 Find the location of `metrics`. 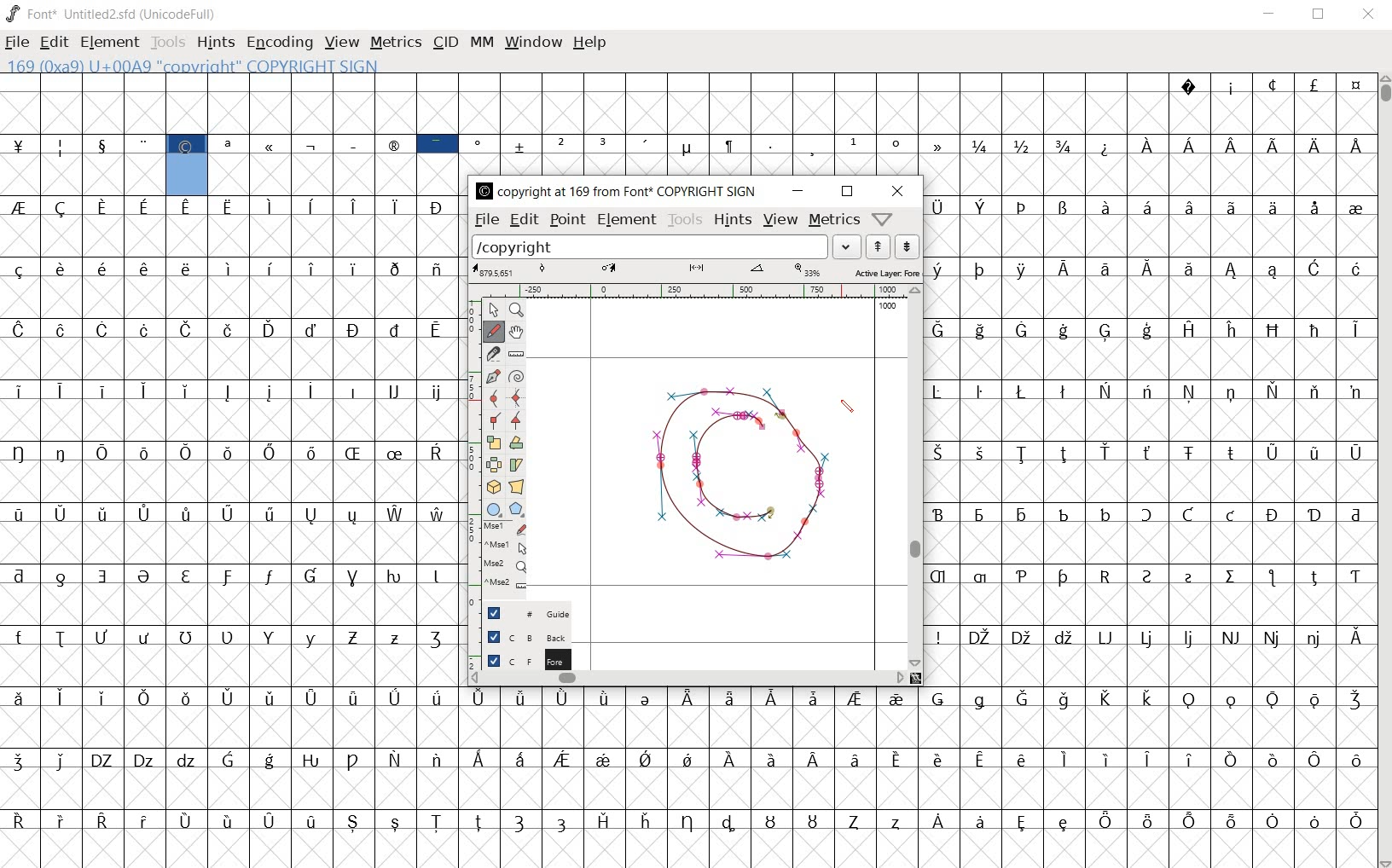

metrics is located at coordinates (832, 219).